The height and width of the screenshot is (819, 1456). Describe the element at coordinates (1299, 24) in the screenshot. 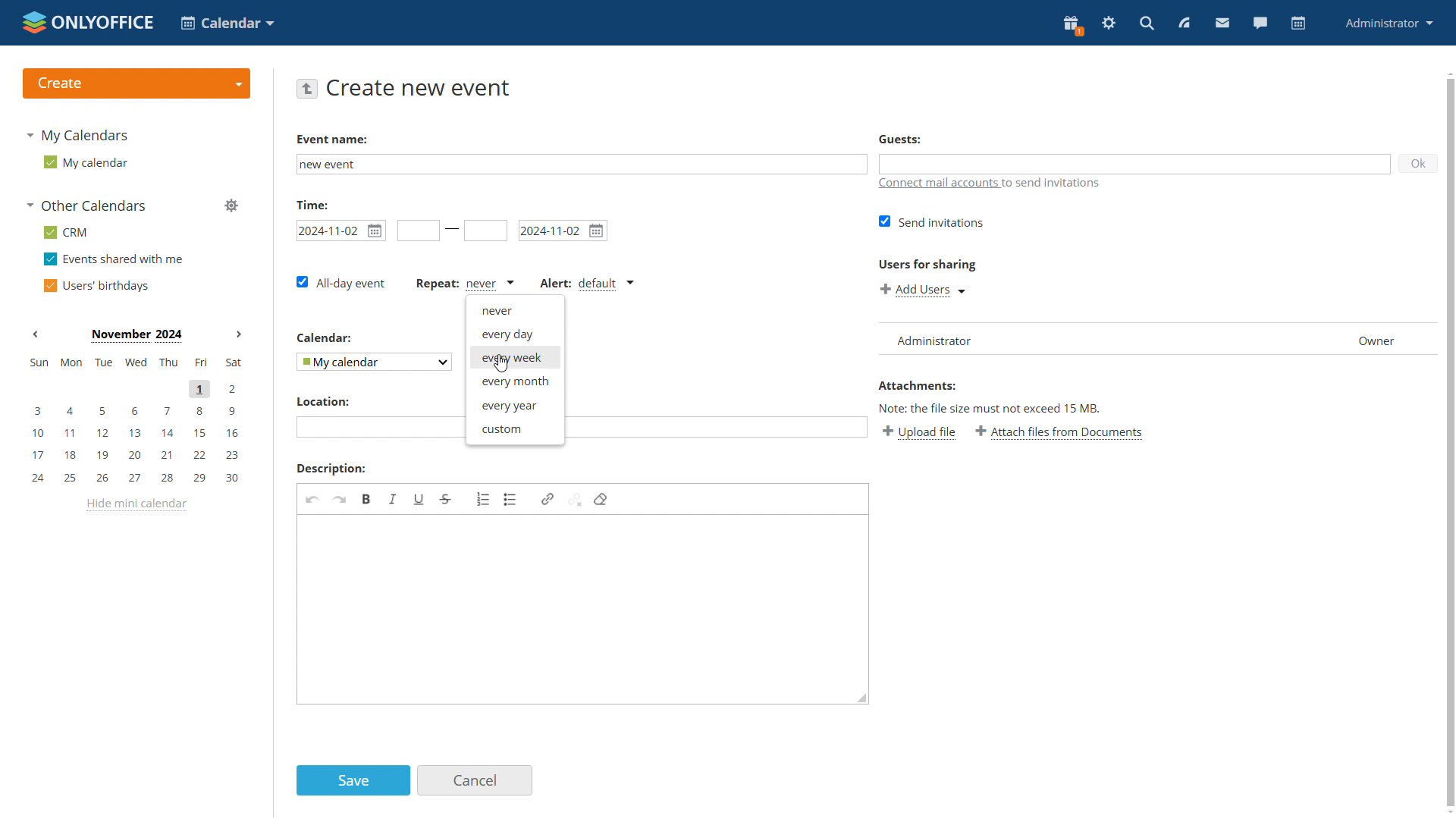

I see `calendar` at that location.